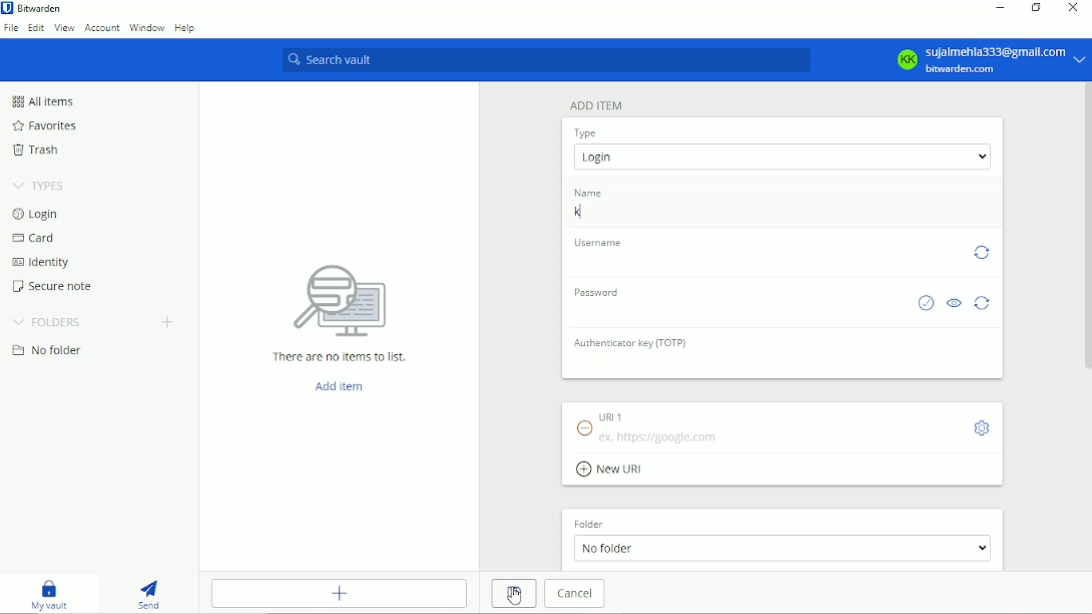 The height and width of the screenshot is (614, 1092). I want to click on Type, so click(586, 132).